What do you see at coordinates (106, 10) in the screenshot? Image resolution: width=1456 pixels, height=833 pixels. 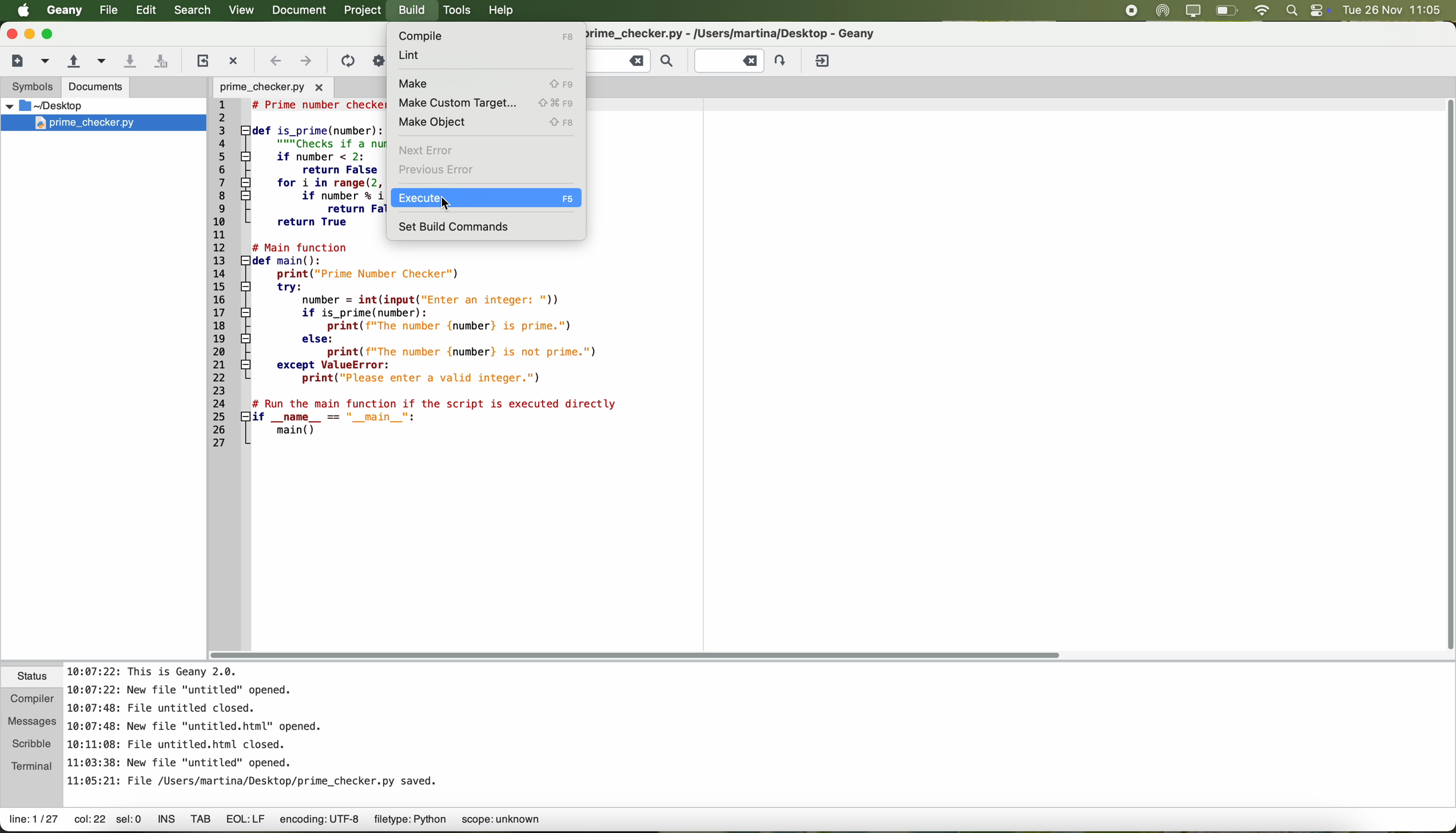 I see `file` at bounding box center [106, 10].